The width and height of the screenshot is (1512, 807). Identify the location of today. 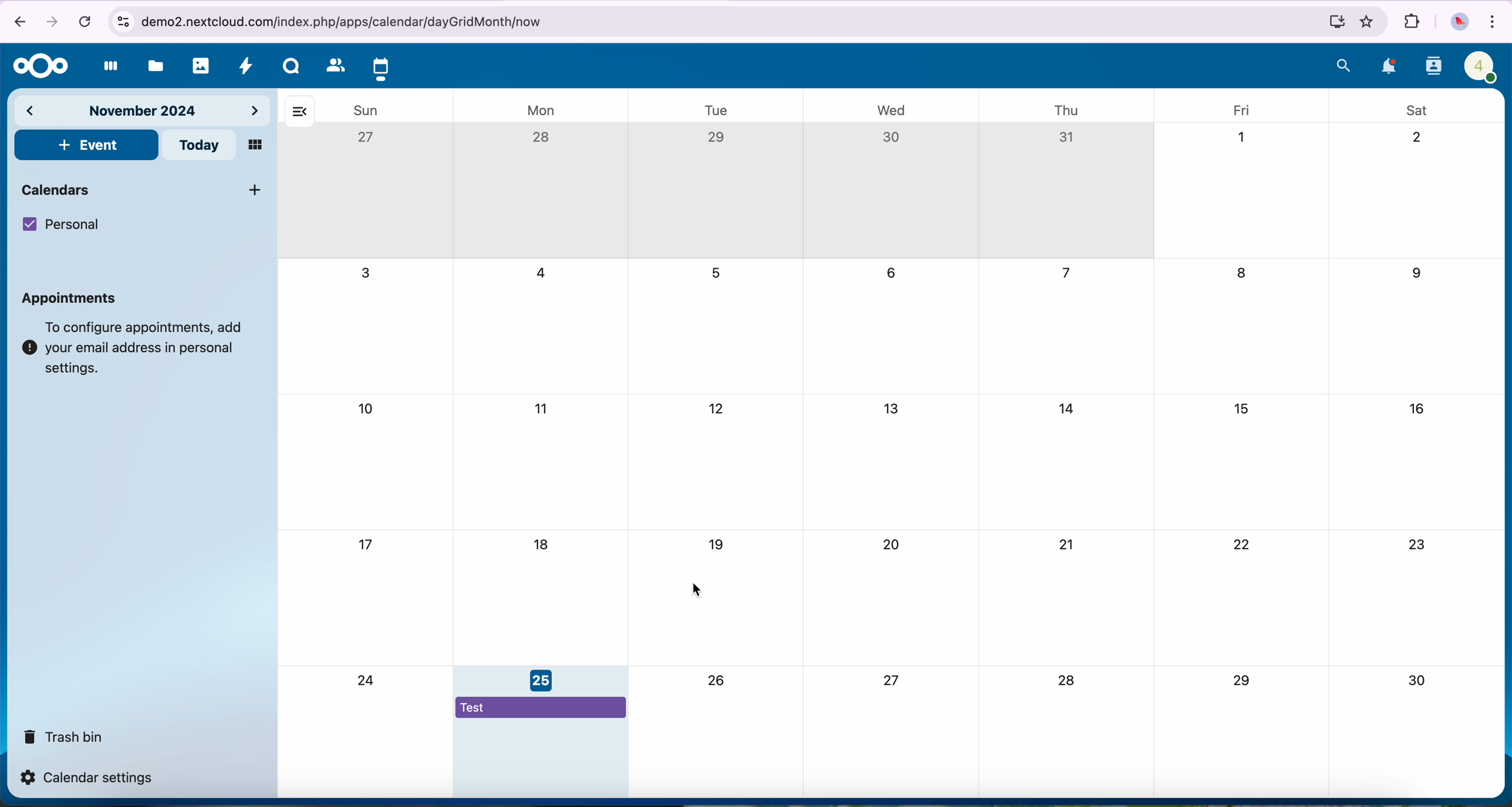
(198, 146).